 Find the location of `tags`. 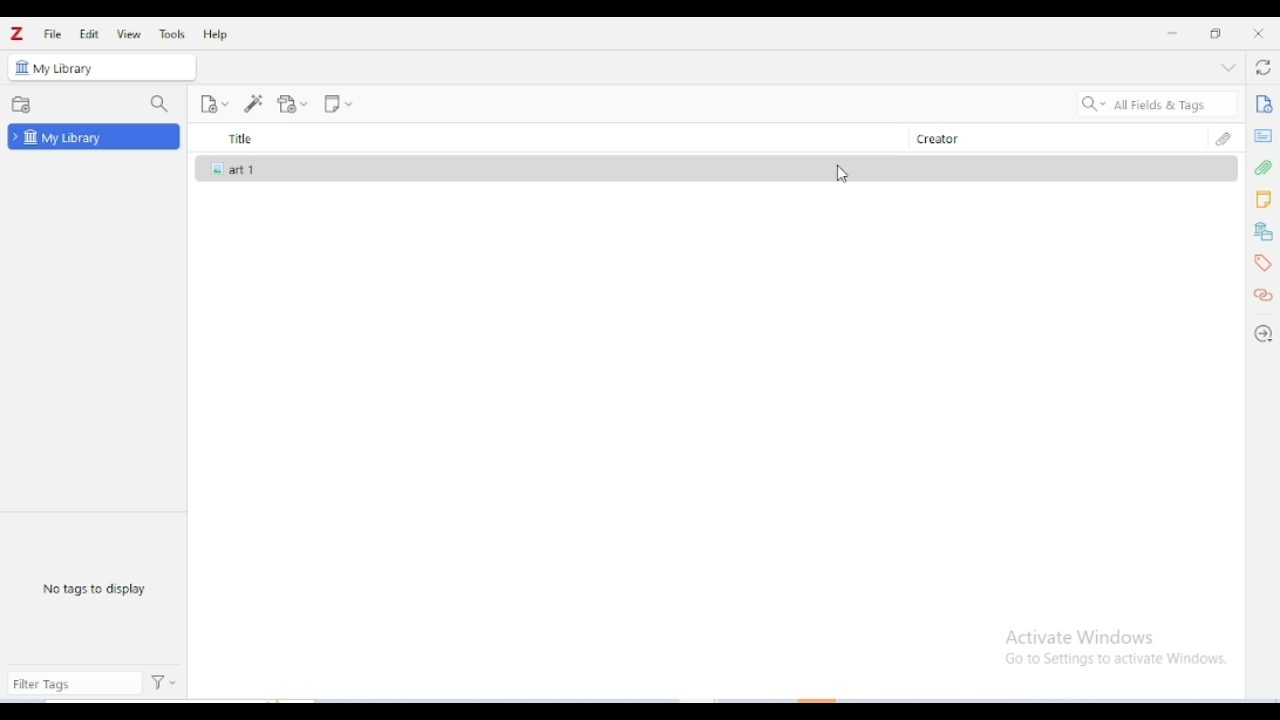

tags is located at coordinates (1265, 264).